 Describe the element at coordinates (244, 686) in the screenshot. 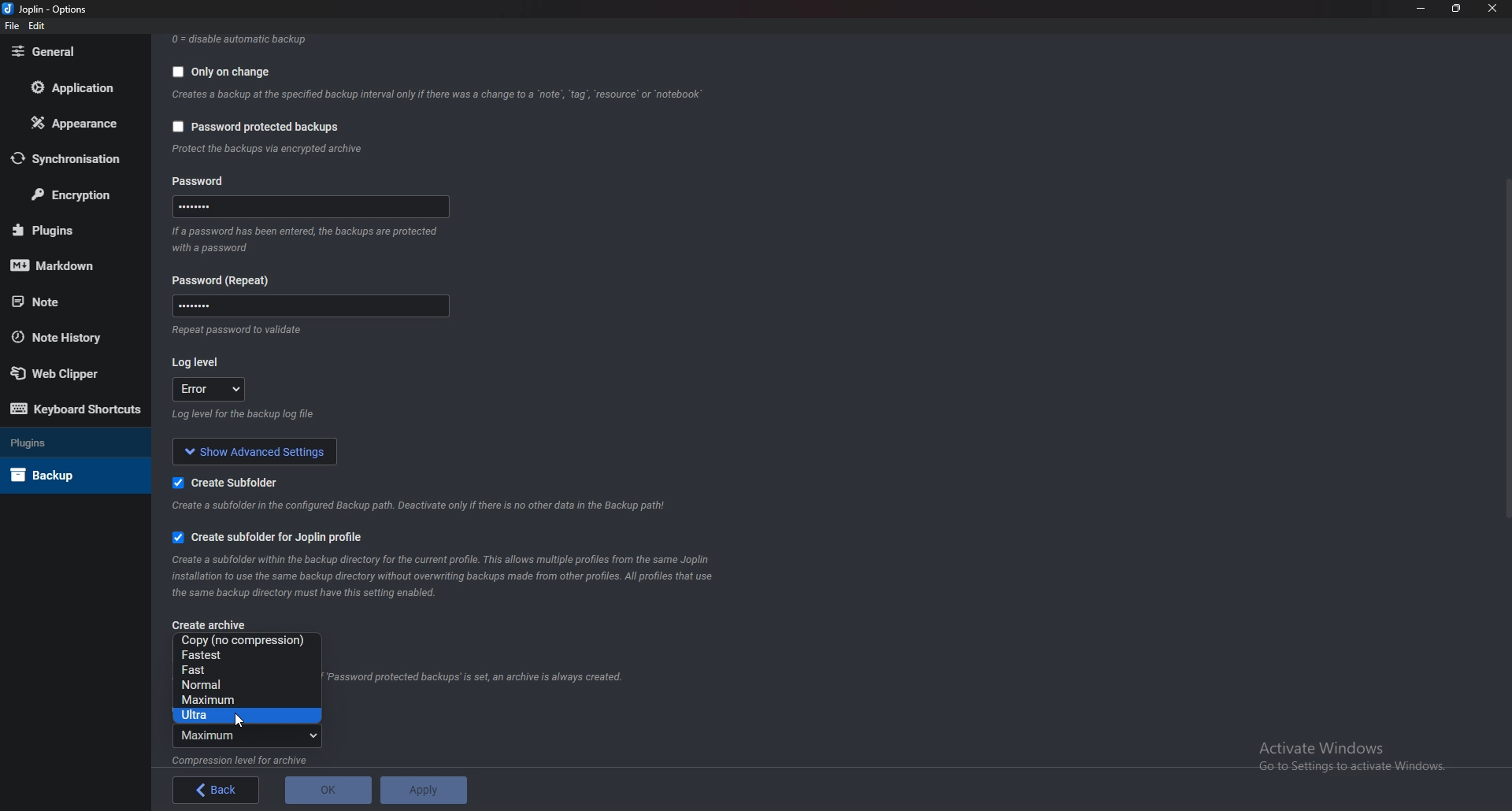

I see `Normal` at that location.